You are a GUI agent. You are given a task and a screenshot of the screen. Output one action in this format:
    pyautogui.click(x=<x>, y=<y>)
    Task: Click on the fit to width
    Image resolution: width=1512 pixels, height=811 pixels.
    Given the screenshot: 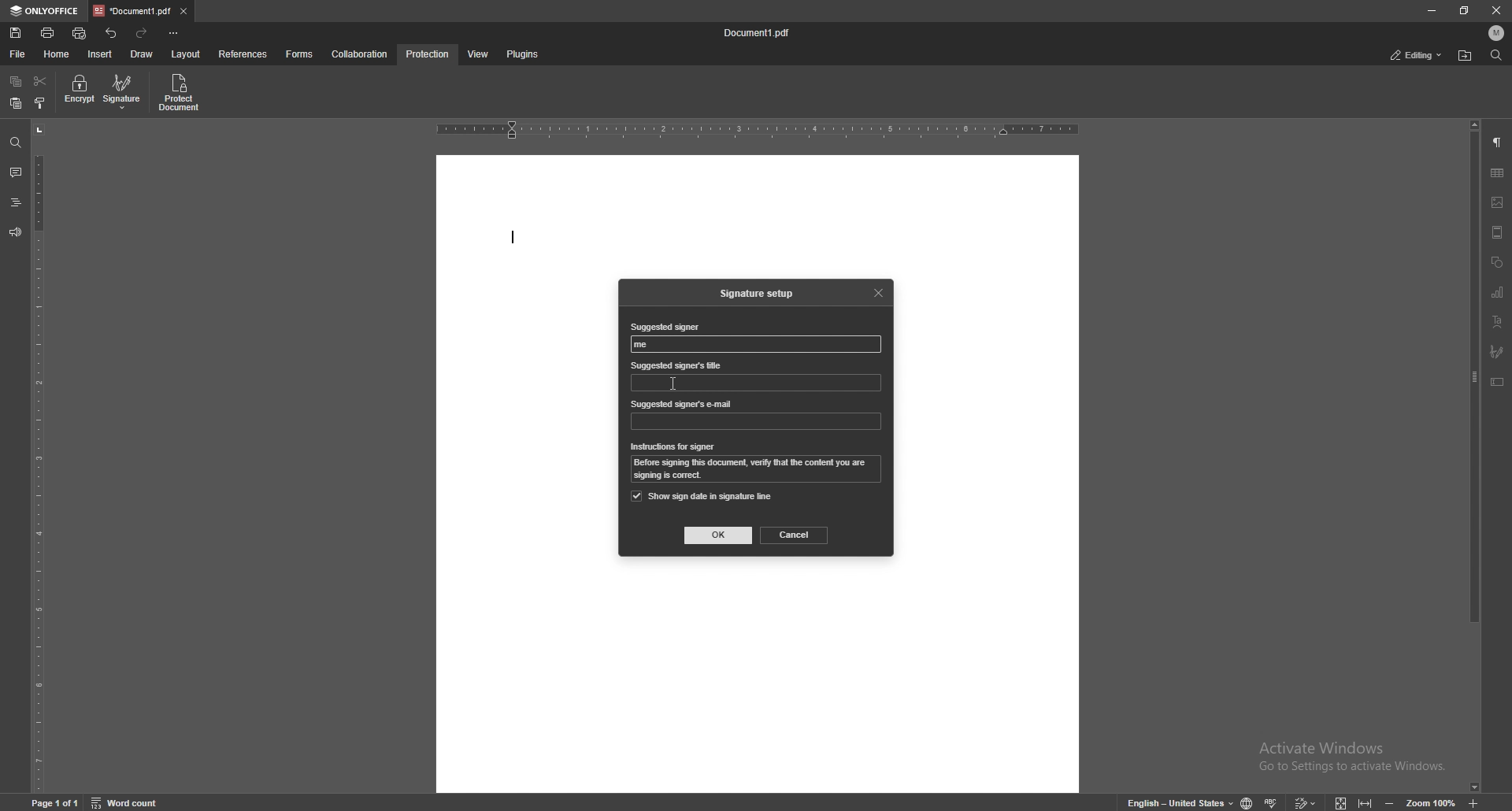 What is the action you would take?
    pyautogui.click(x=1367, y=800)
    